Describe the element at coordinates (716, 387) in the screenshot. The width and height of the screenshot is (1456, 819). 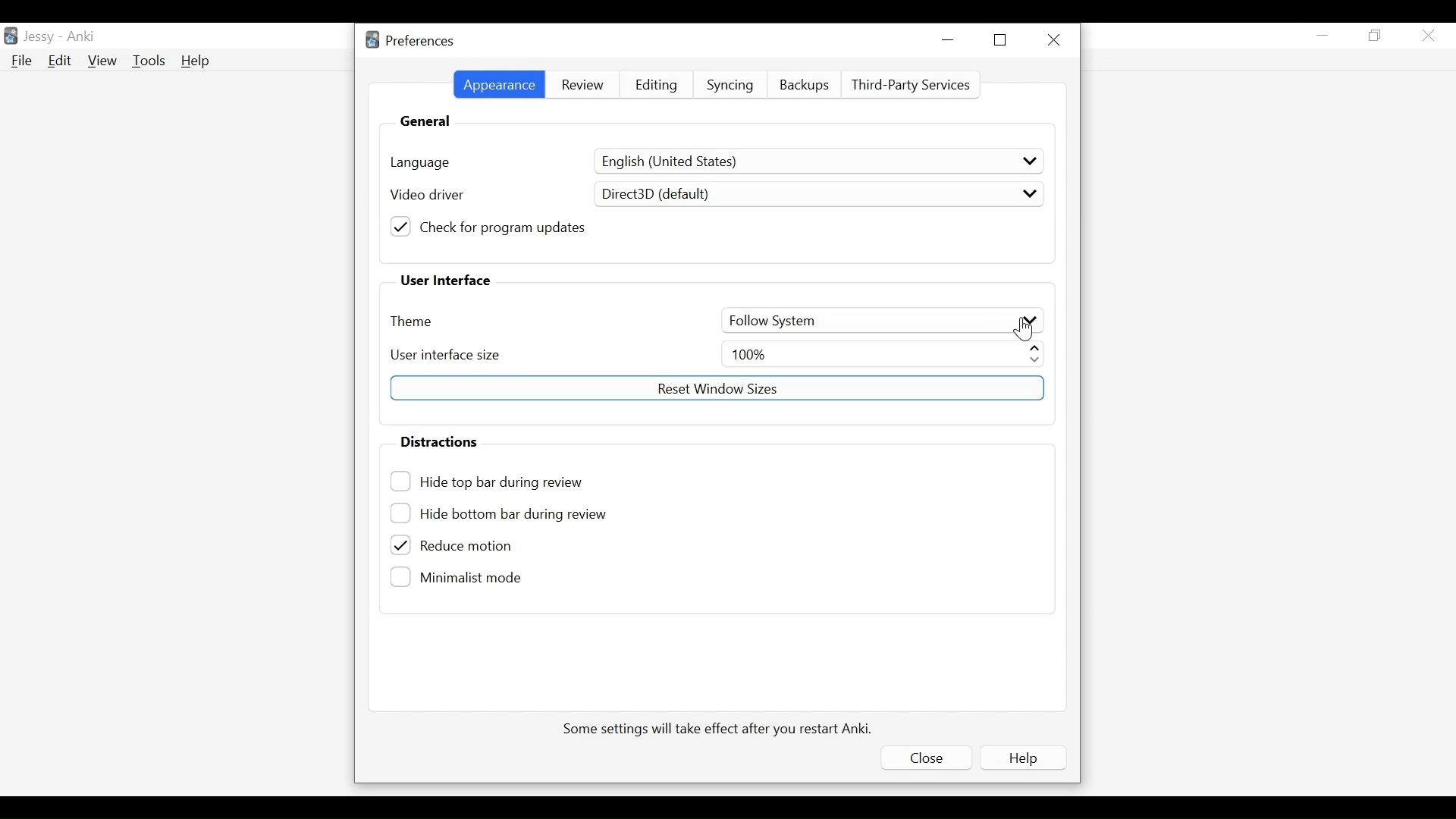
I see `Reset Window sizes` at that location.